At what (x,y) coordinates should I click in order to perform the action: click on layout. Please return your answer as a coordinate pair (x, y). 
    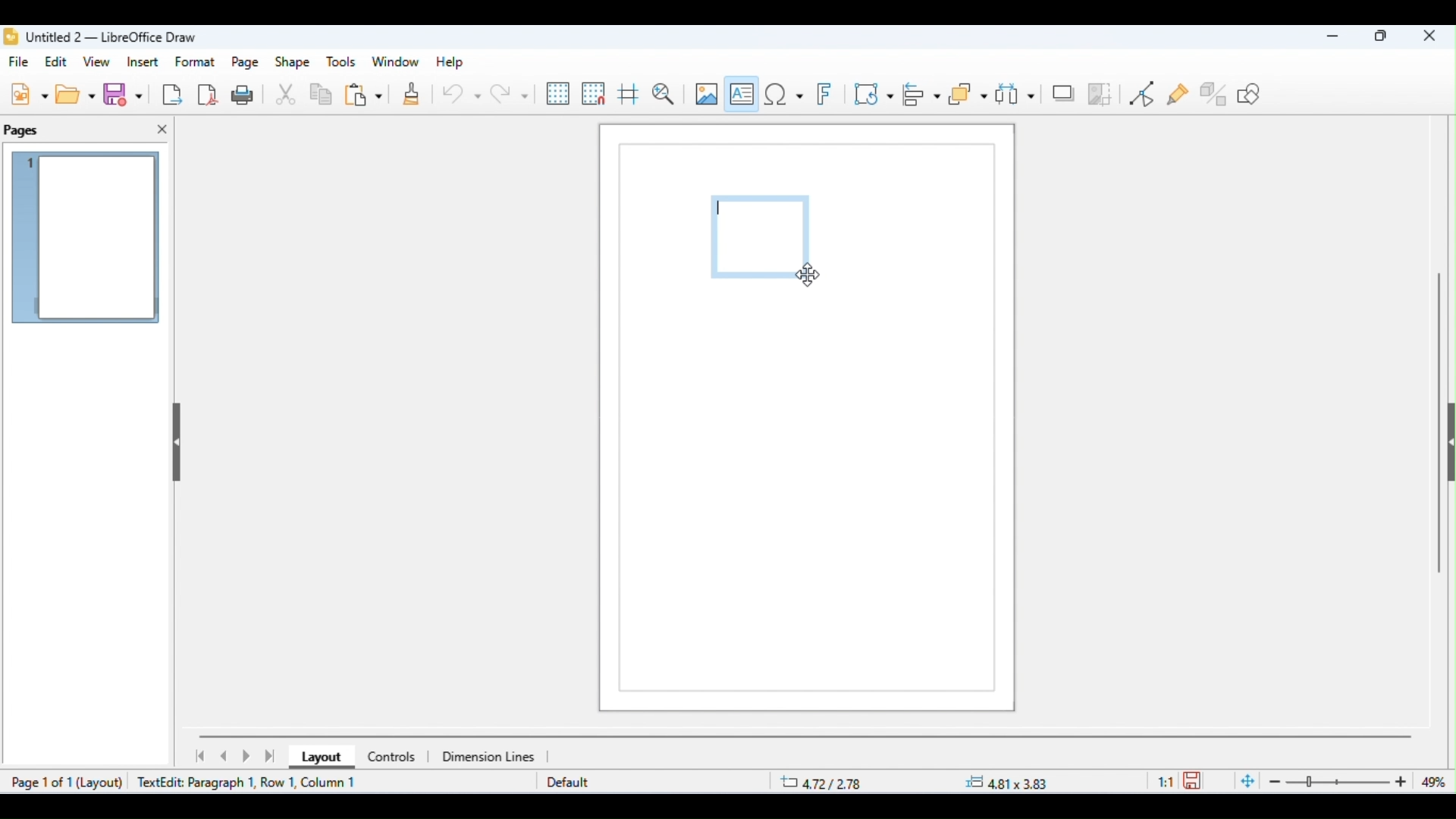
    Looking at the image, I should click on (318, 758).